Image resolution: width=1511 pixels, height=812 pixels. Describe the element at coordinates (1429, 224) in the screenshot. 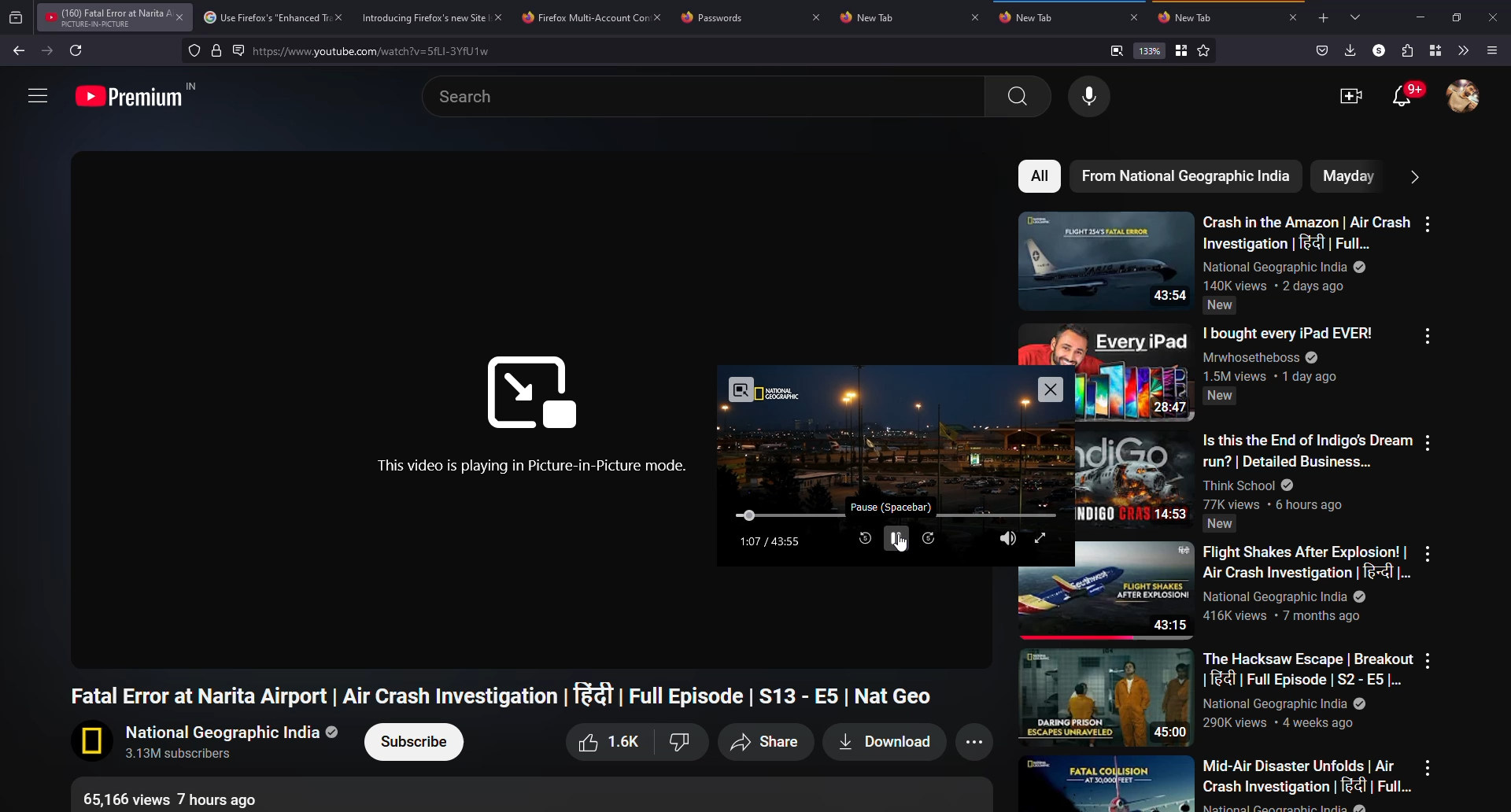

I see `more` at that location.